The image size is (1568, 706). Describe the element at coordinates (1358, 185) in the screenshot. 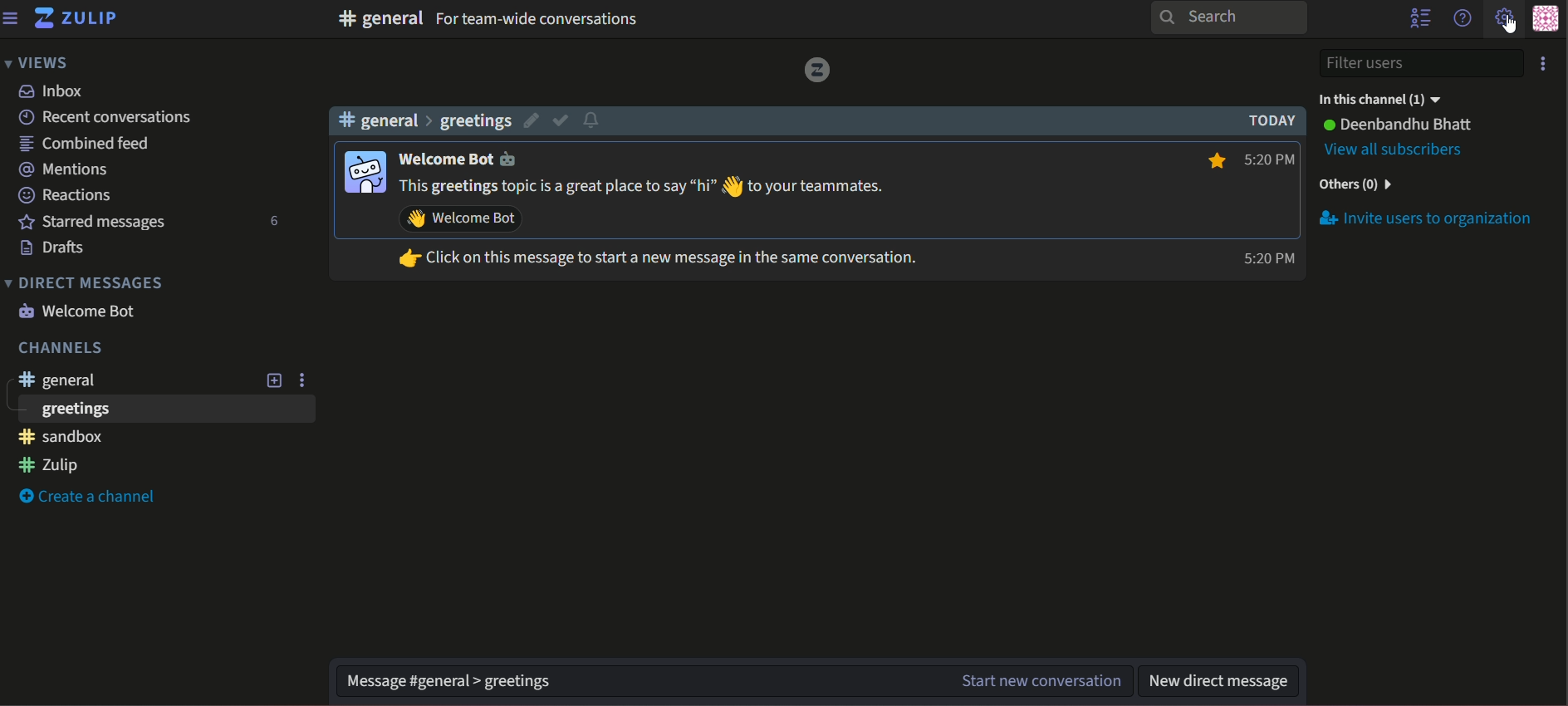

I see `others` at that location.